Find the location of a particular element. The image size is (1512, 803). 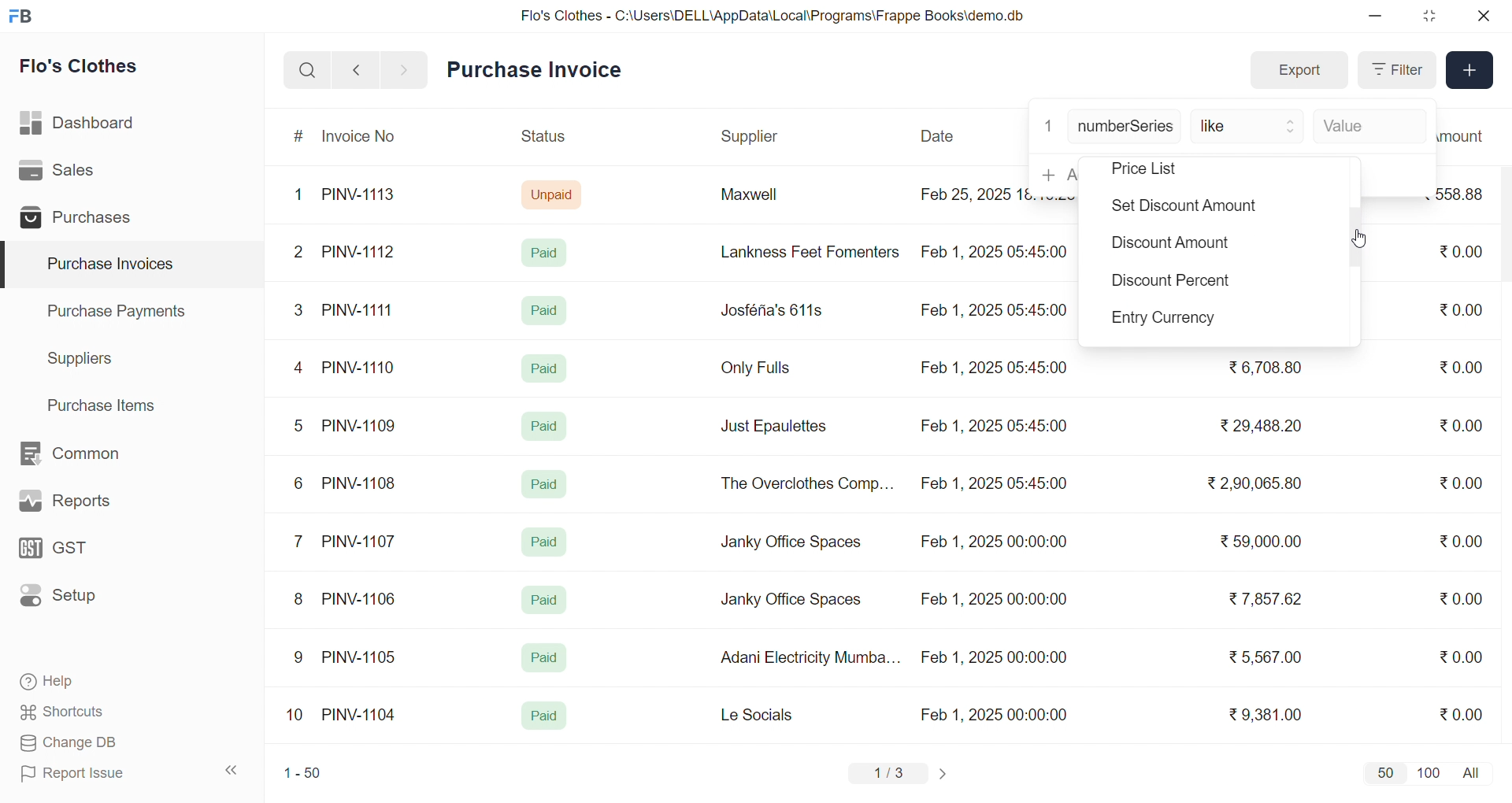

₹0.00 is located at coordinates (1452, 426).